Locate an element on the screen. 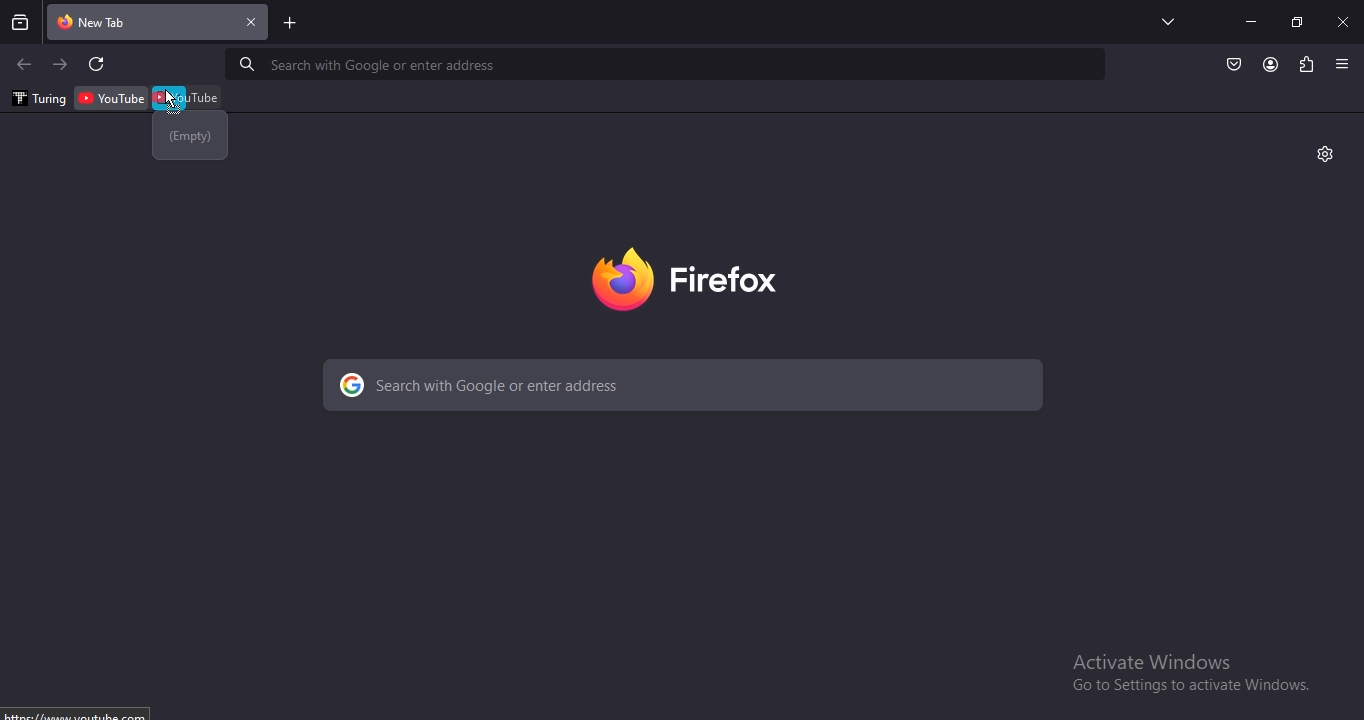  settings is located at coordinates (1325, 152).